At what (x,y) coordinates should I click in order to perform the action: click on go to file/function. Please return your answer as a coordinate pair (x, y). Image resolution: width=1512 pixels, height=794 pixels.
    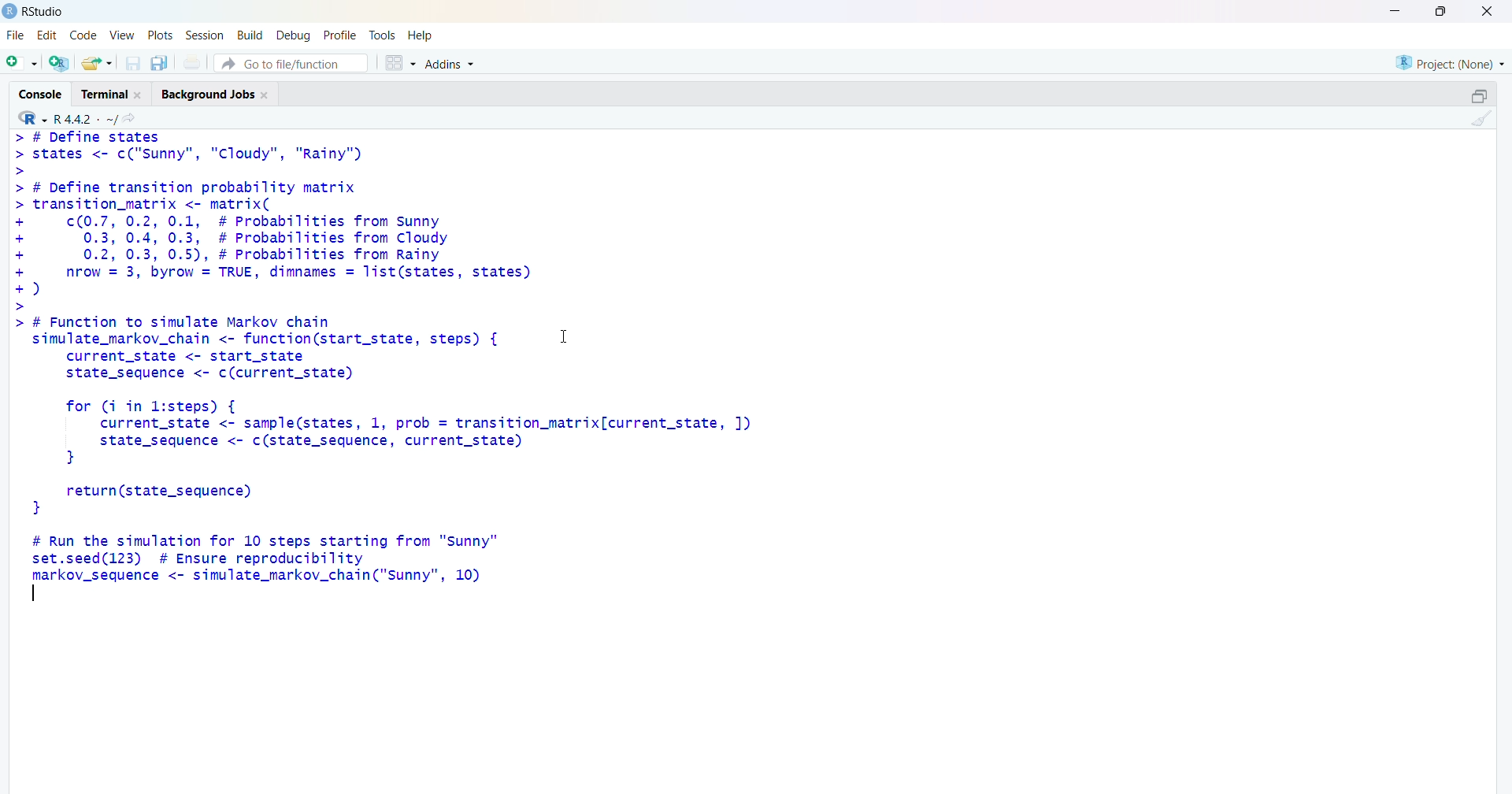
    Looking at the image, I should click on (290, 64).